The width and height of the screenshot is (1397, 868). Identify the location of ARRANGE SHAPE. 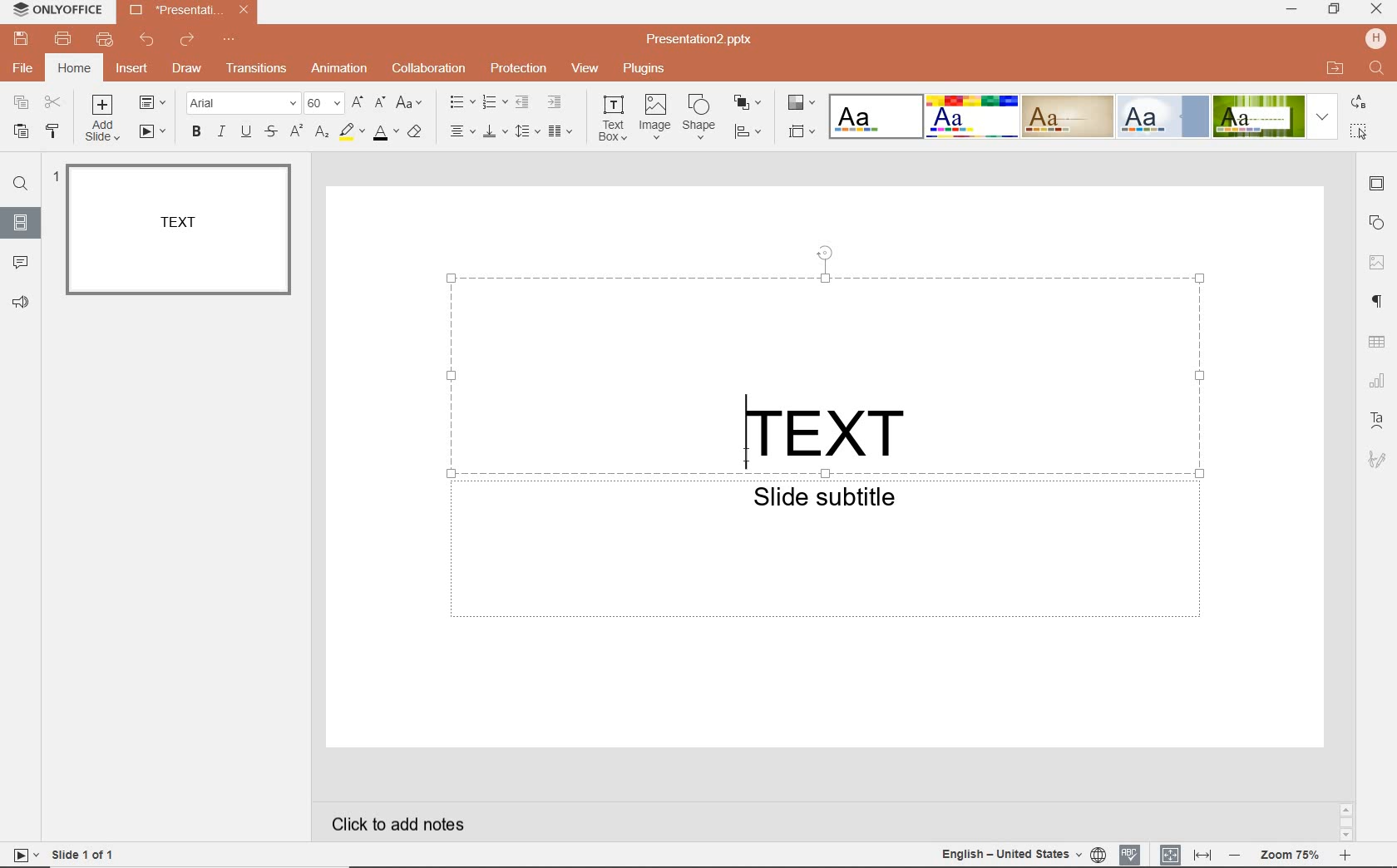
(748, 103).